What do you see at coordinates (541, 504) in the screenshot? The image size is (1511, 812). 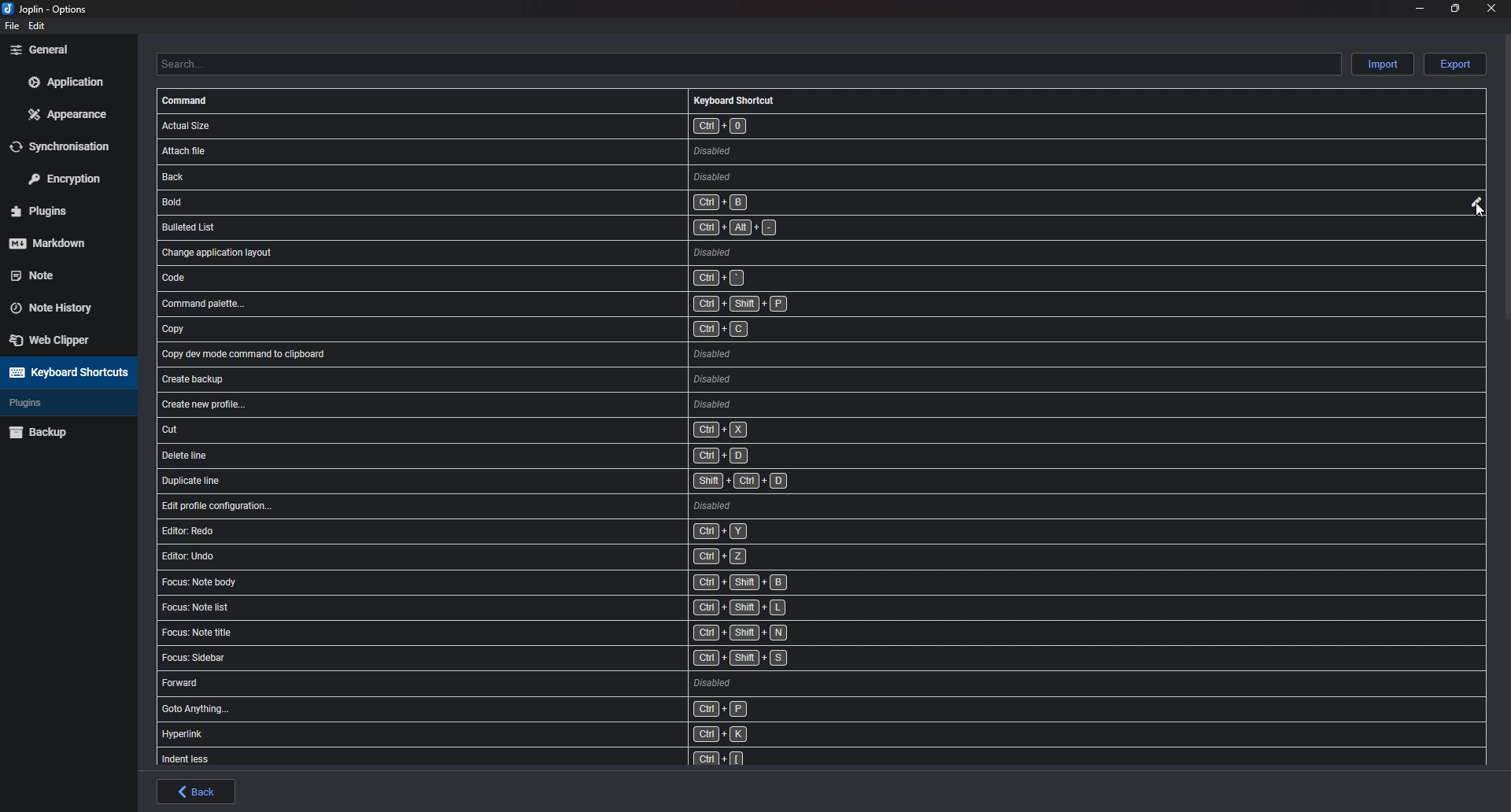 I see `shortcut` at bounding box center [541, 504].